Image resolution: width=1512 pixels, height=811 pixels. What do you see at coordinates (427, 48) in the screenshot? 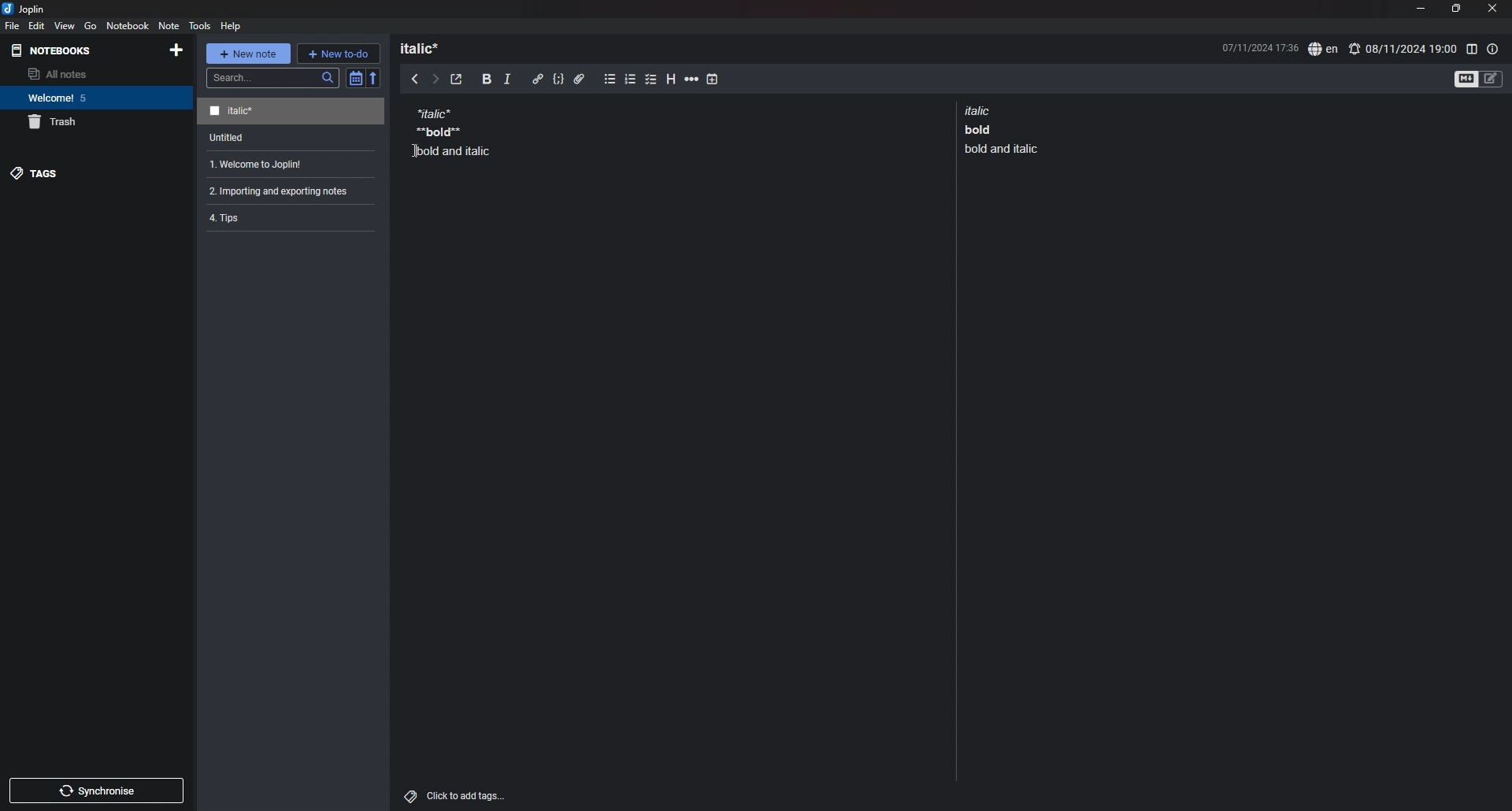
I see `heading` at bounding box center [427, 48].